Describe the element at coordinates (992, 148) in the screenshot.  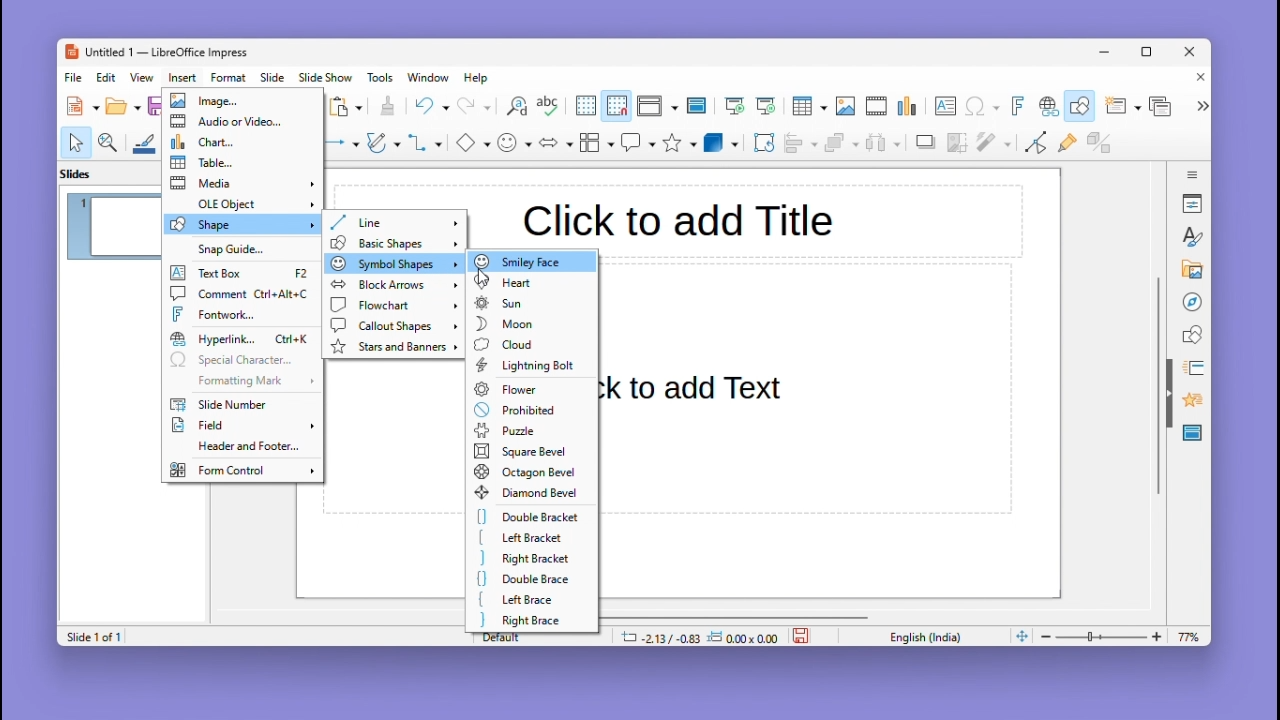
I see `Filter` at that location.